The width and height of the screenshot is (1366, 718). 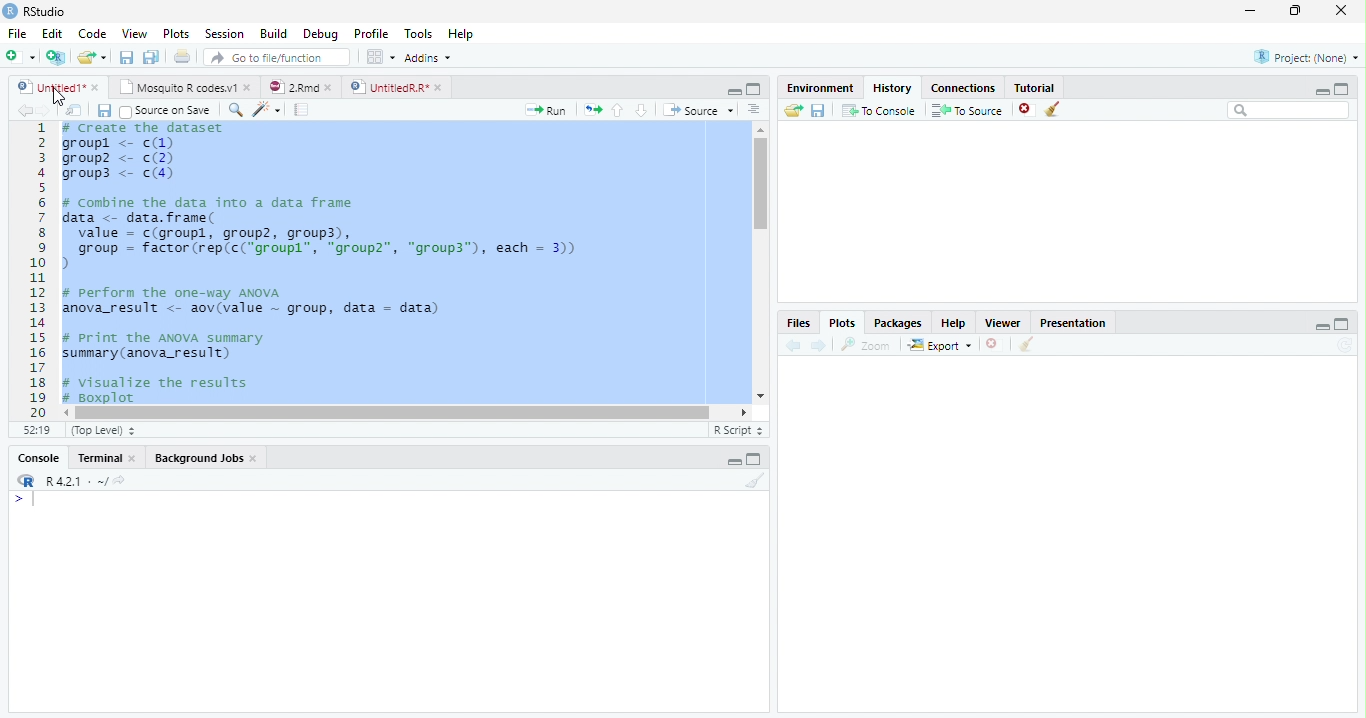 What do you see at coordinates (1289, 111) in the screenshot?
I see `Search` at bounding box center [1289, 111].